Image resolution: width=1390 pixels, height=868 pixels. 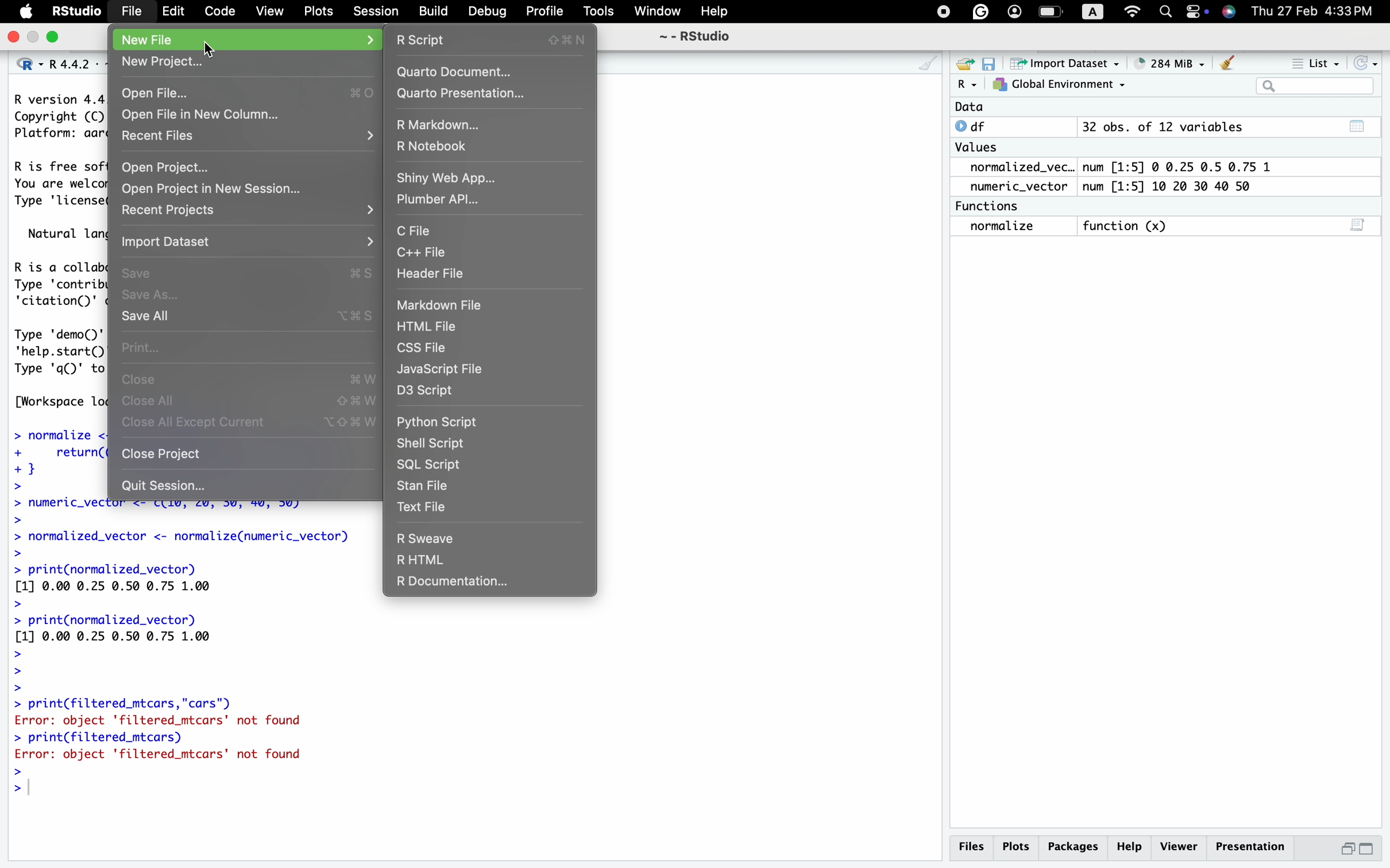 What do you see at coordinates (1020, 846) in the screenshot?
I see `Plots` at bounding box center [1020, 846].